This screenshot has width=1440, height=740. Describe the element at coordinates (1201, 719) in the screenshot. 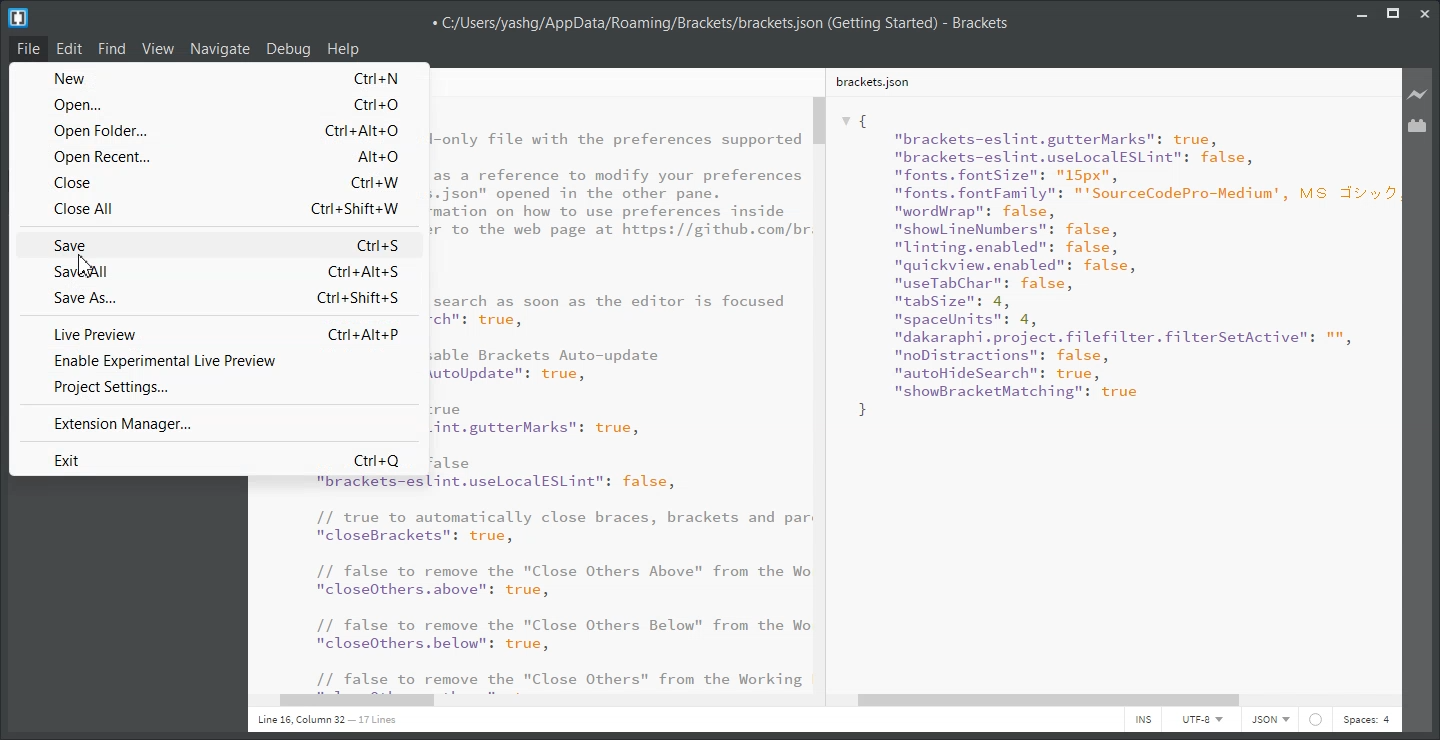

I see `UTF-8` at that location.